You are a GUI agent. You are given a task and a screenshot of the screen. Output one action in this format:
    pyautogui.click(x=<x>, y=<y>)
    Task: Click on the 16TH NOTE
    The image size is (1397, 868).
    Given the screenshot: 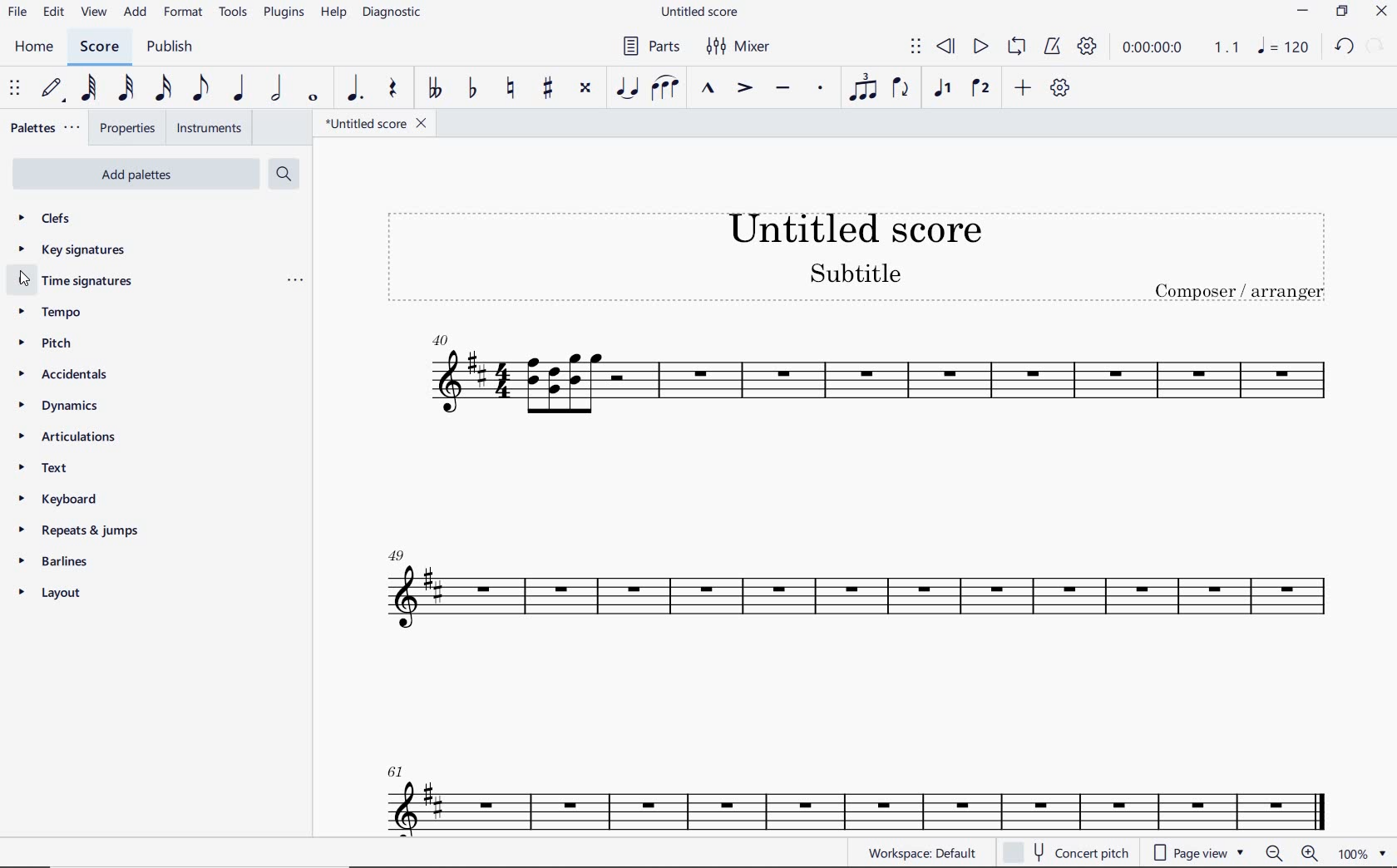 What is the action you would take?
    pyautogui.click(x=160, y=89)
    